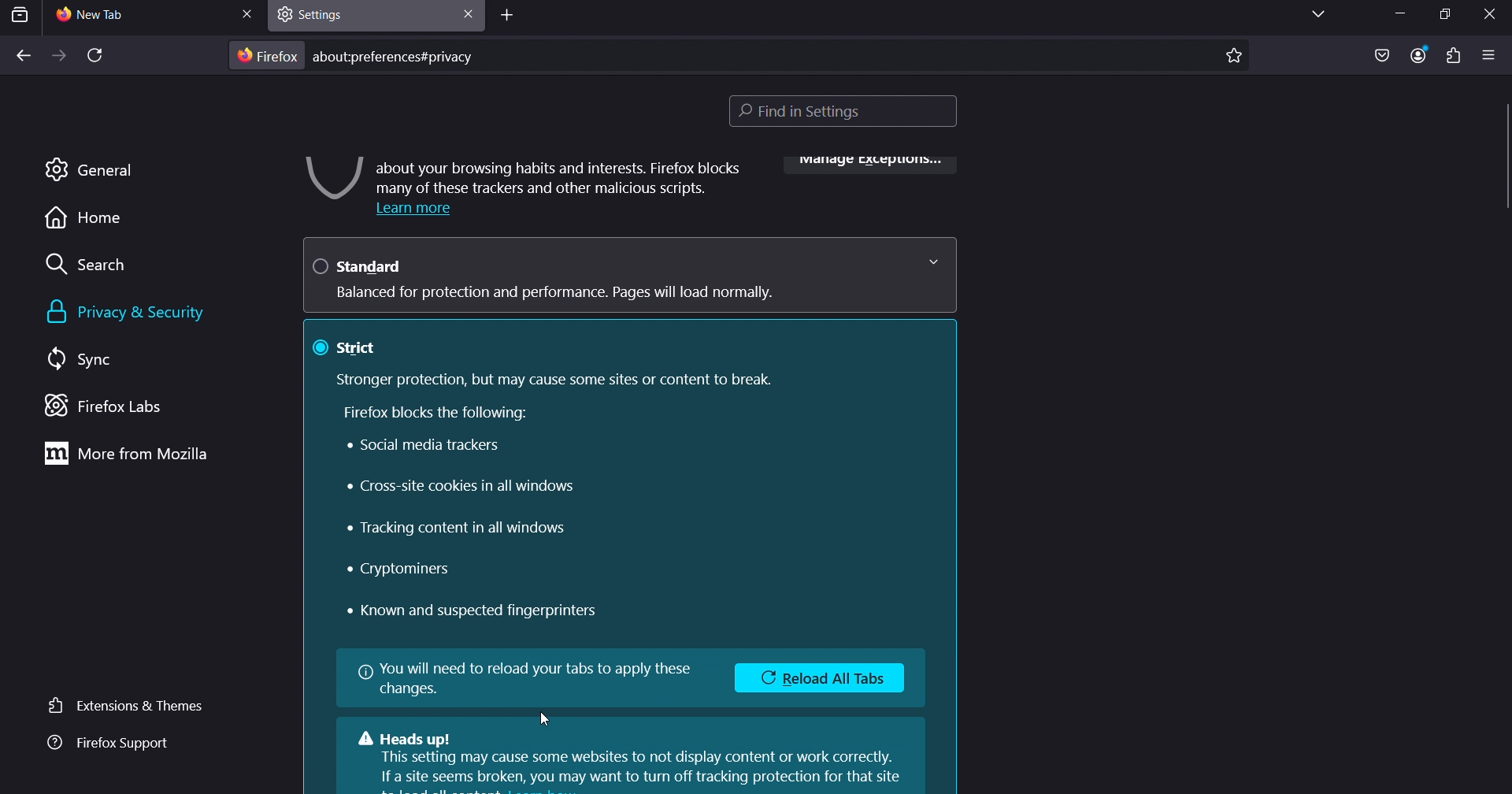  What do you see at coordinates (121, 407) in the screenshot?
I see `firefox labs` at bounding box center [121, 407].